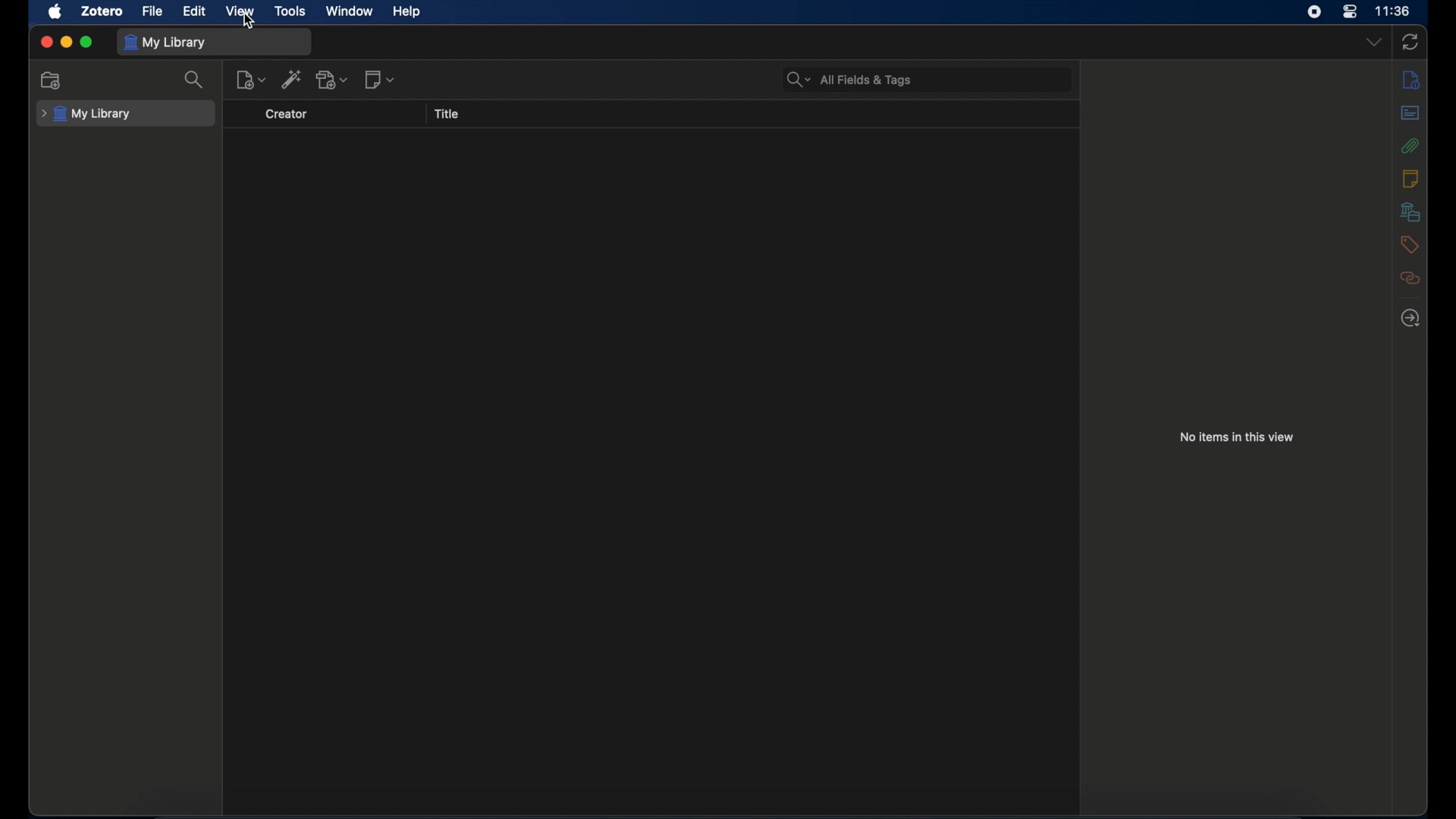 The height and width of the screenshot is (819, 1456). I want to click on new collection, so click(53, 81).